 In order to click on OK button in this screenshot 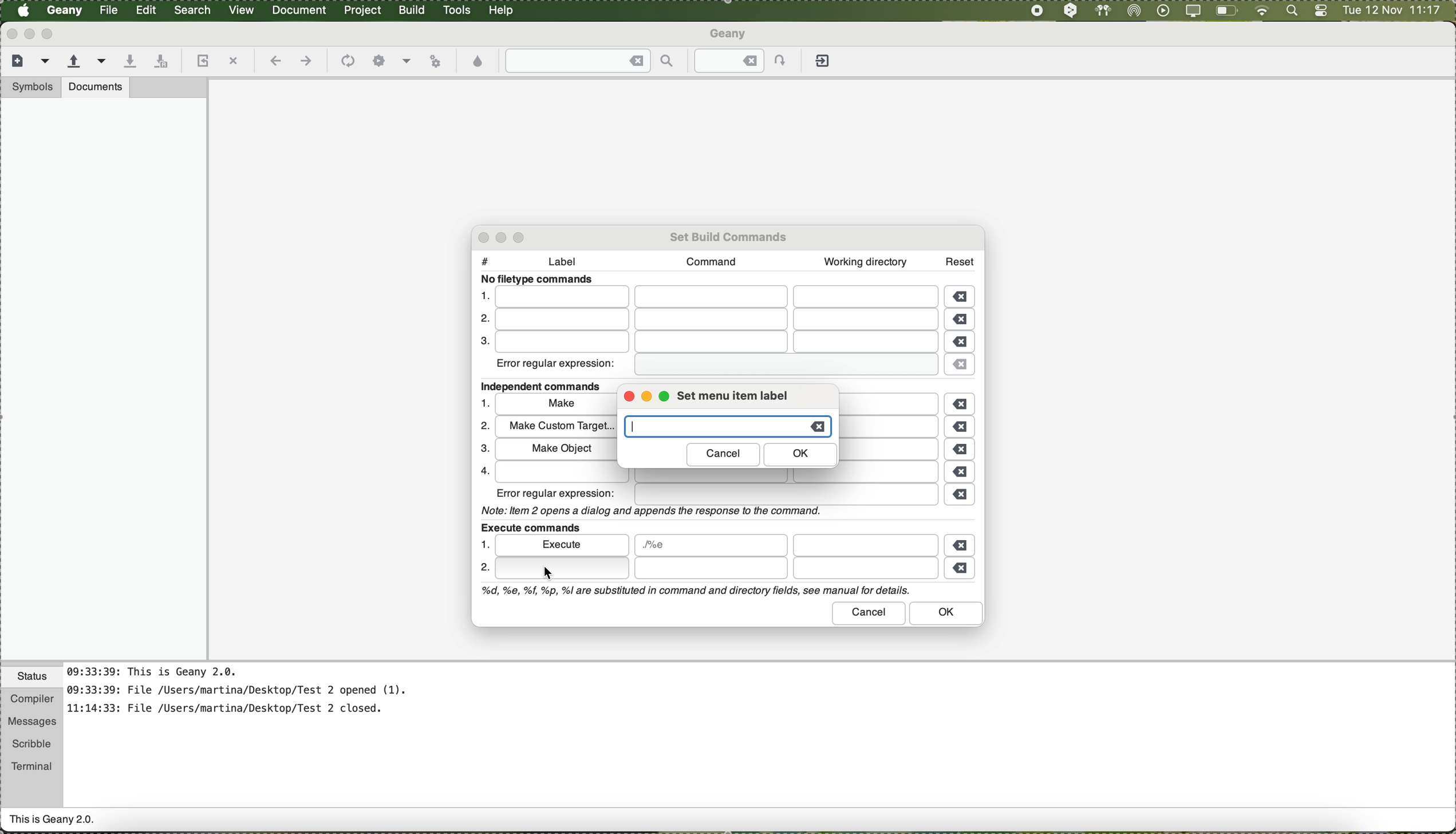, I will do `click(802, 454)`.